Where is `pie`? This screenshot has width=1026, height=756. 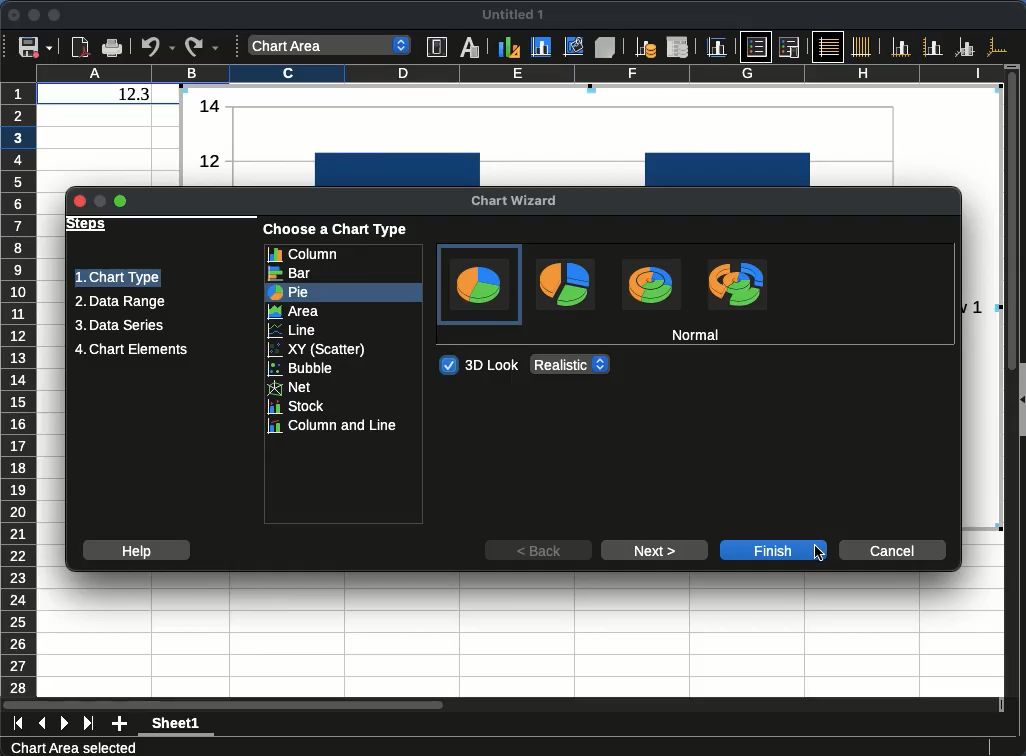
pie is located at coordinates (344, 293).